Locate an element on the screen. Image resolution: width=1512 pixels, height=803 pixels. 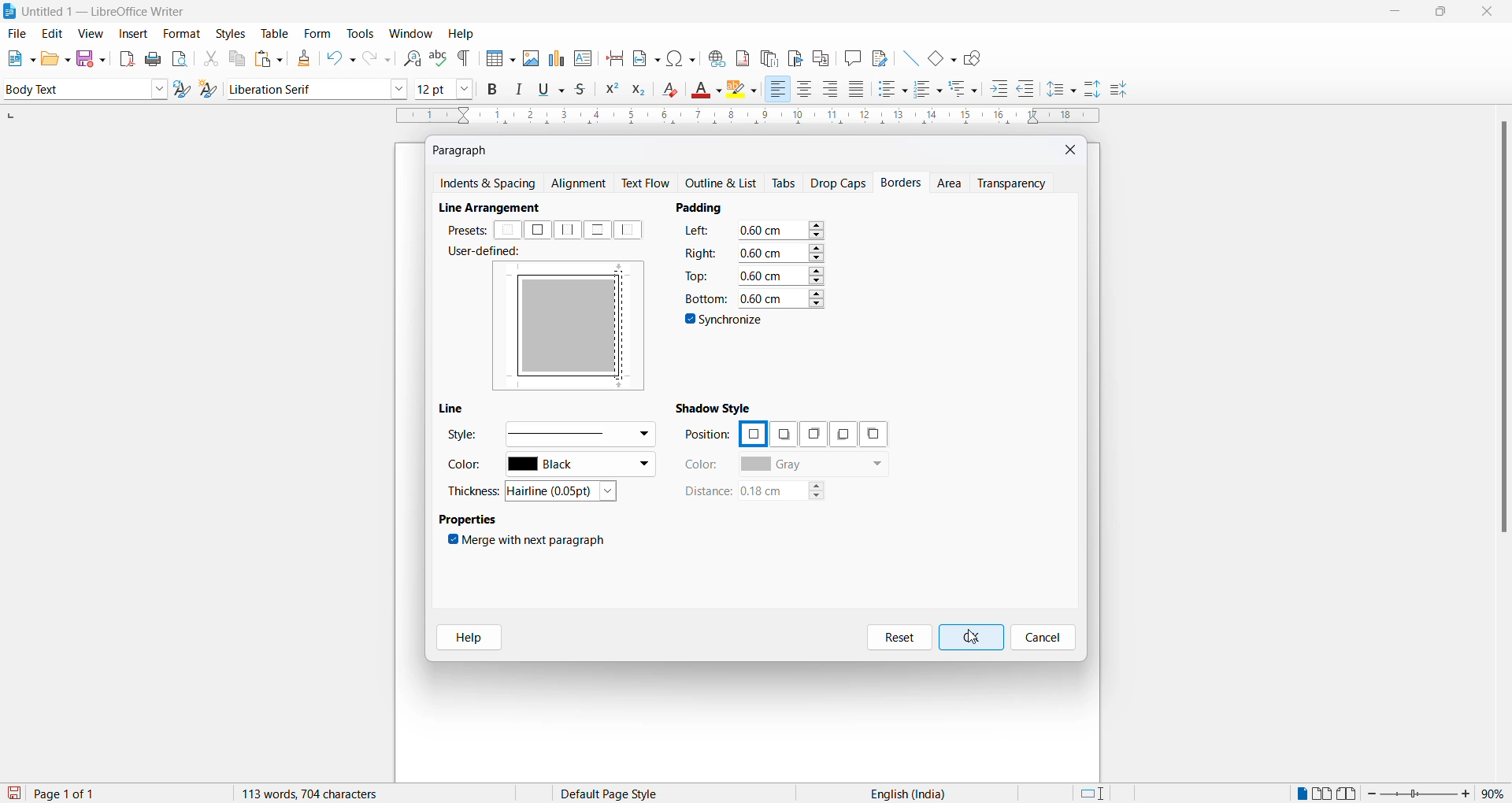
show draw functions is located at coordinates (976, 57).